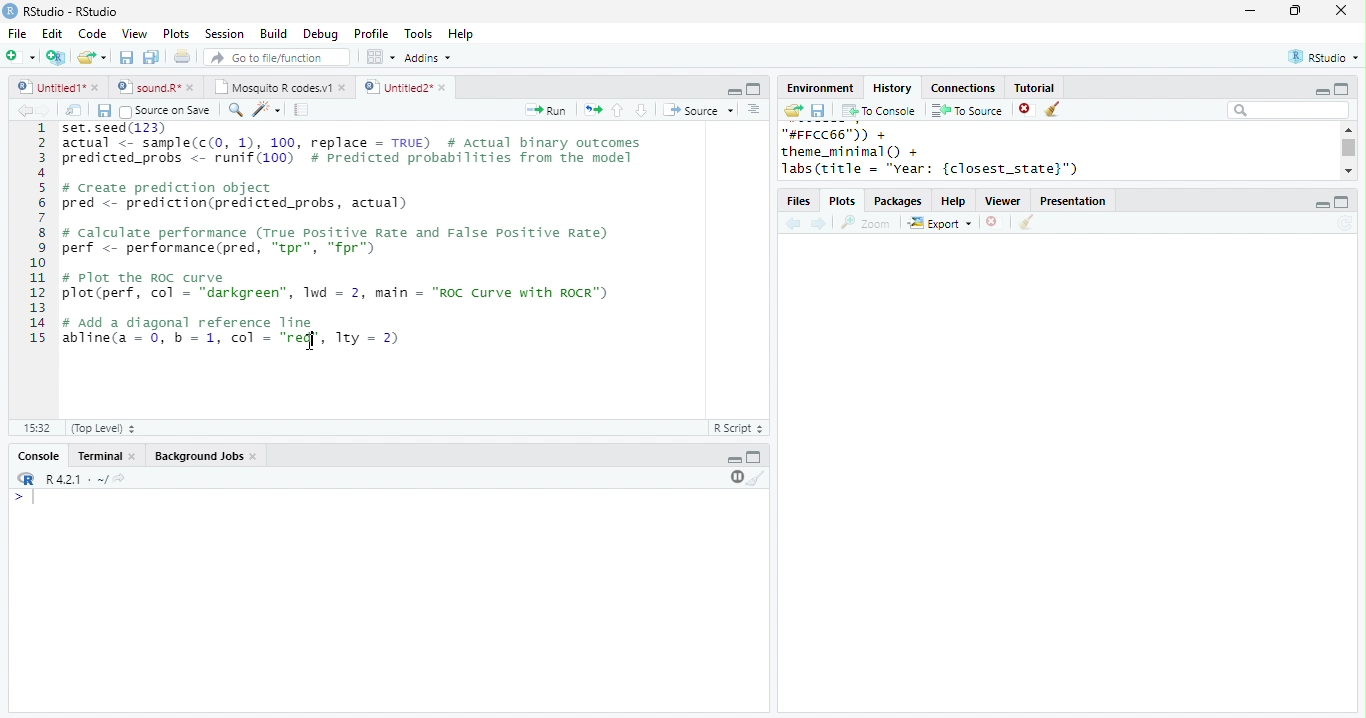 This screenshot has height=718, width=1366. I want to click on maximize, so click(753, 89).